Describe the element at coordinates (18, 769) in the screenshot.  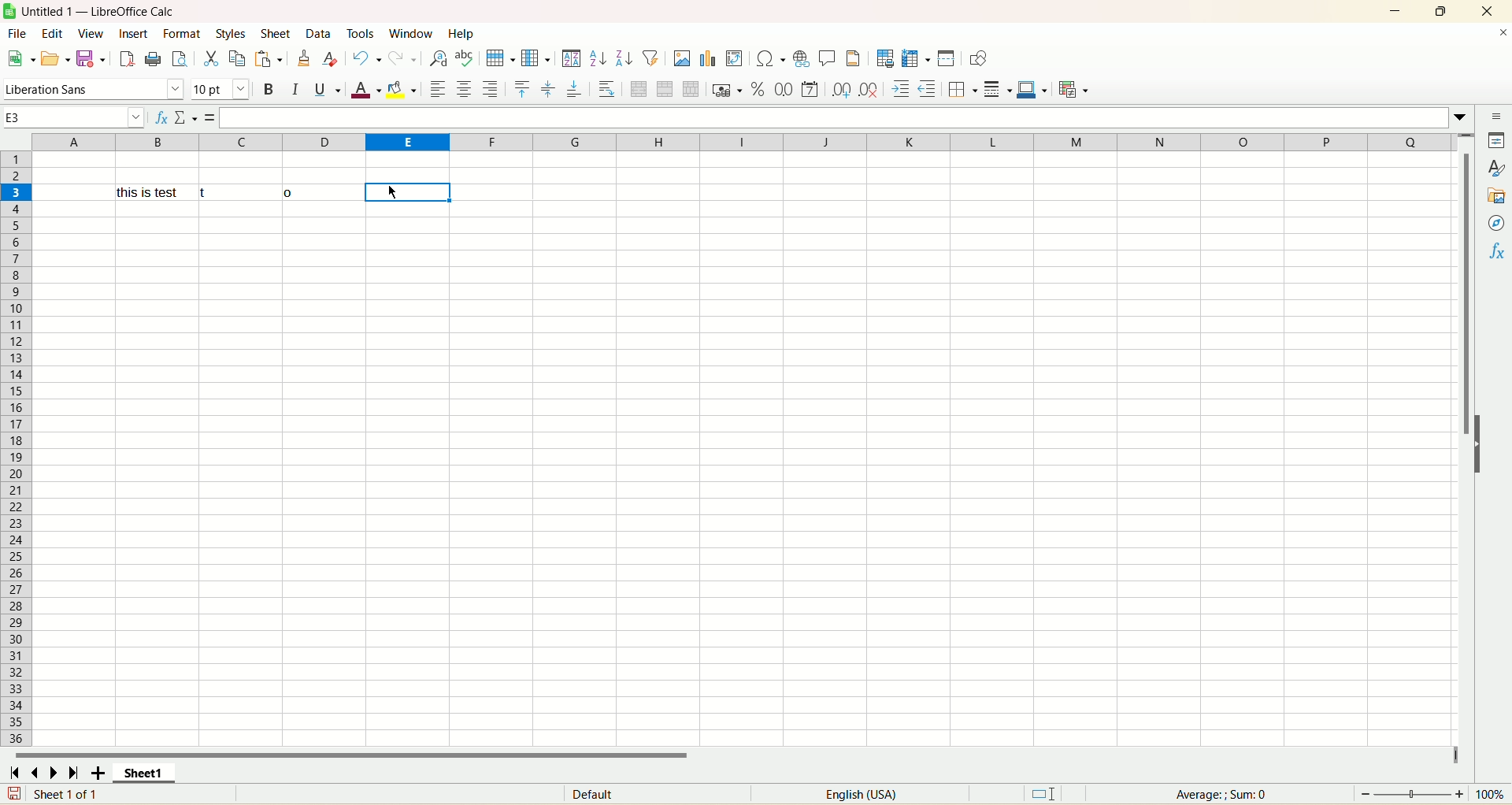
I see `scroll to first sheet` at that location.